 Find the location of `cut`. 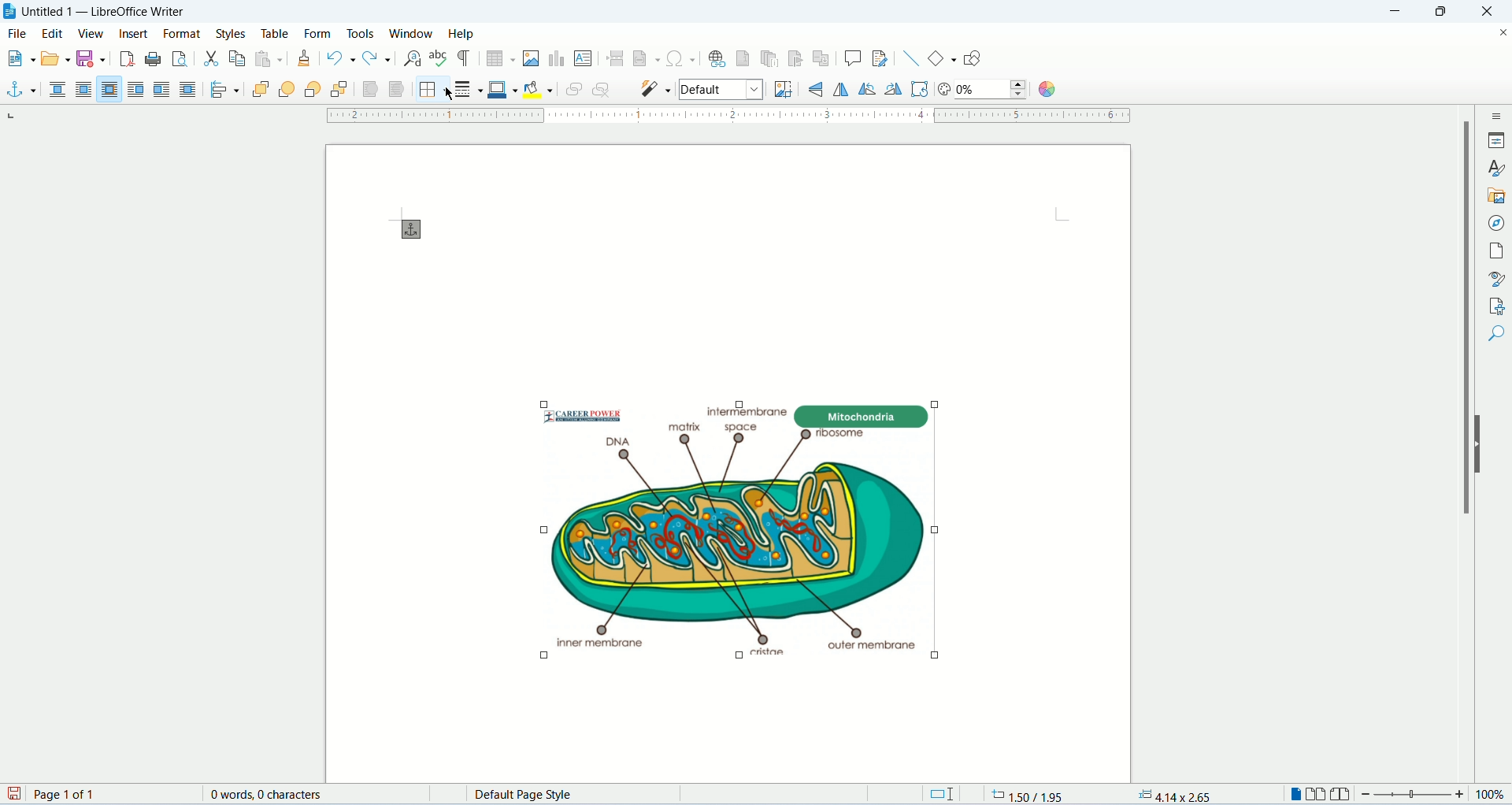

cut is located at coordinates (212, 60).